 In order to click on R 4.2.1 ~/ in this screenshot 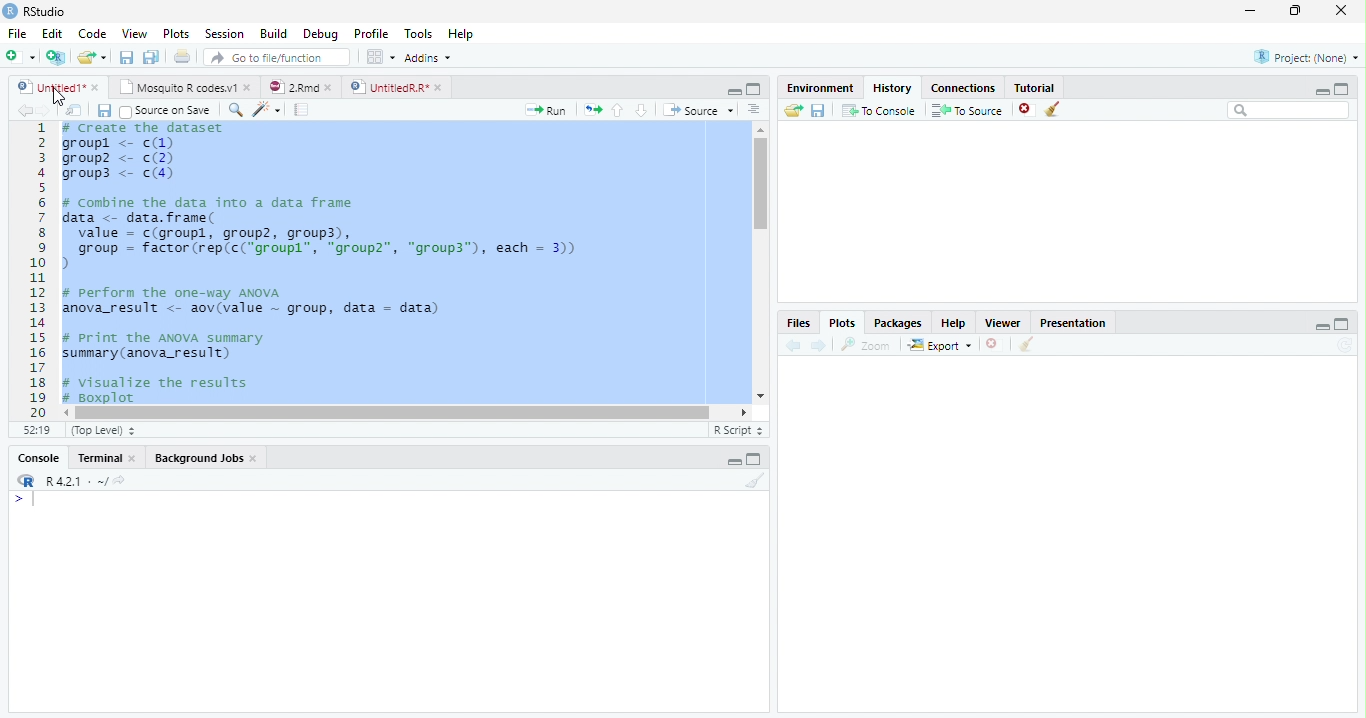, I will do `click(77, 481)`.